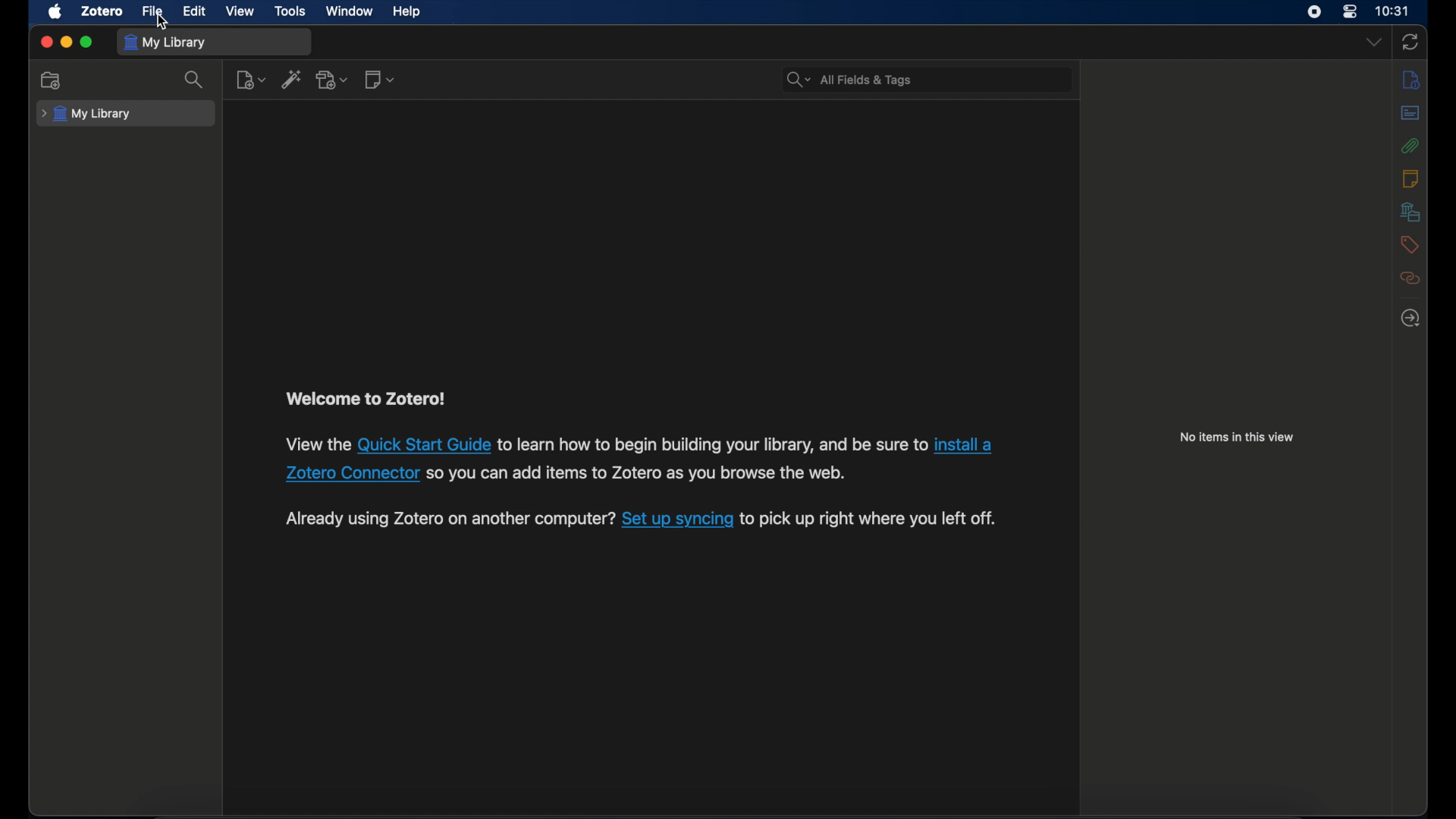 Image resolution: width=1456 pixels, height=819 pixels. Describe the element at coordinates (1237, 437) in the screenshot. I see `no items in this view` at that location.